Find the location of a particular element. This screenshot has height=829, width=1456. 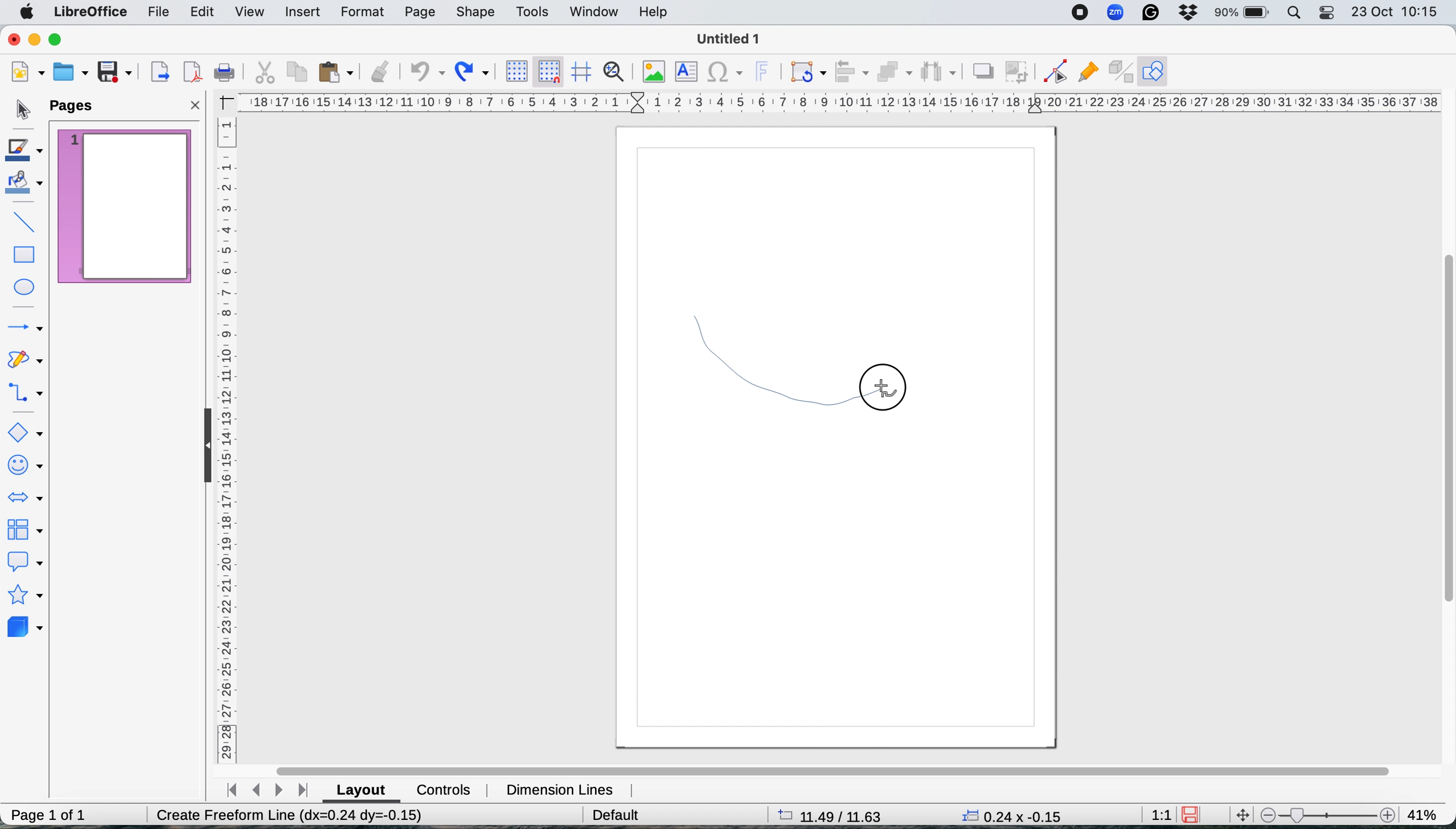

rectangle is located at coordinates (25, 254).